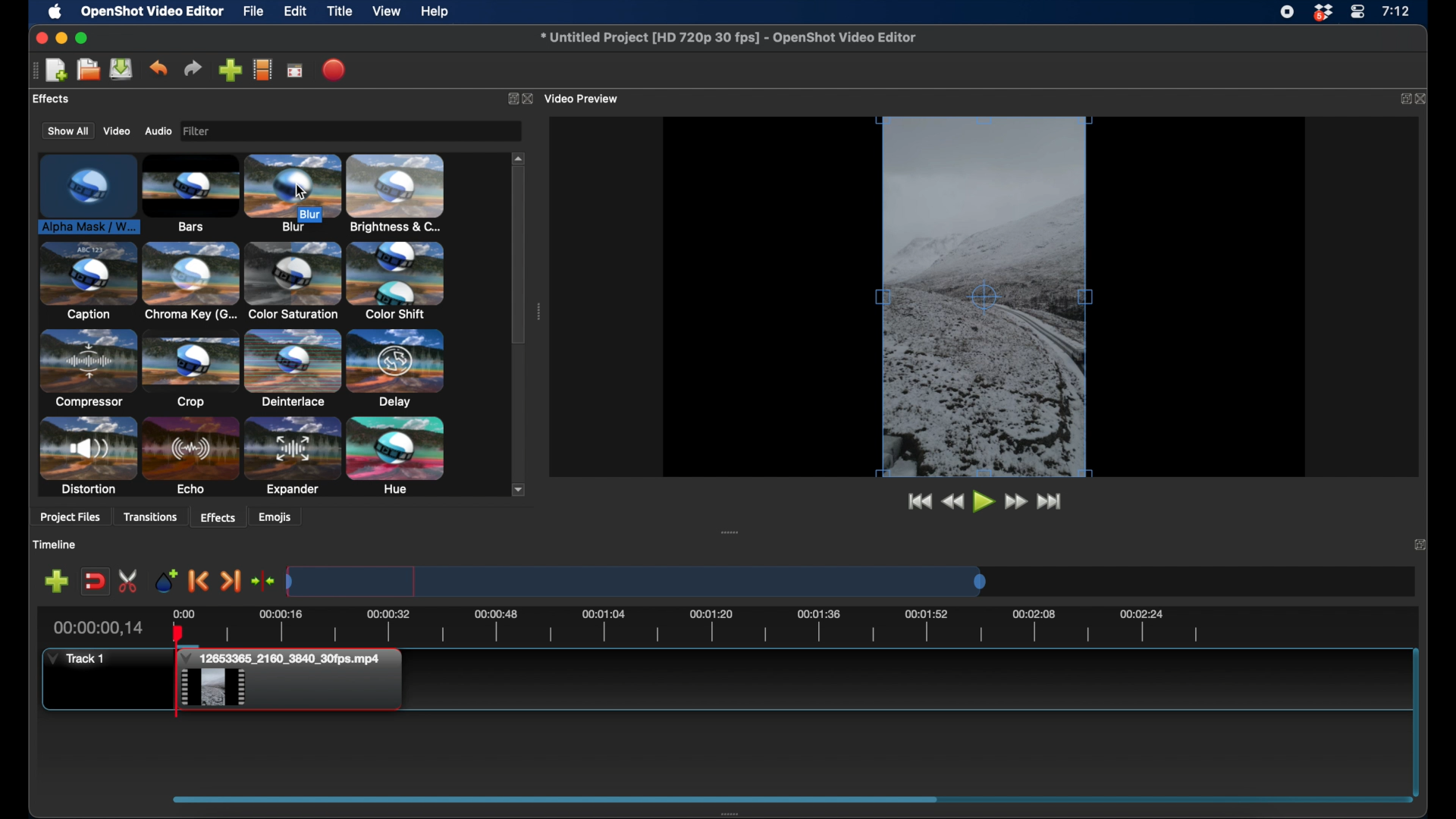 This screenshot has width=1456, height=819. I want to click on distortion, so click(86, 456).